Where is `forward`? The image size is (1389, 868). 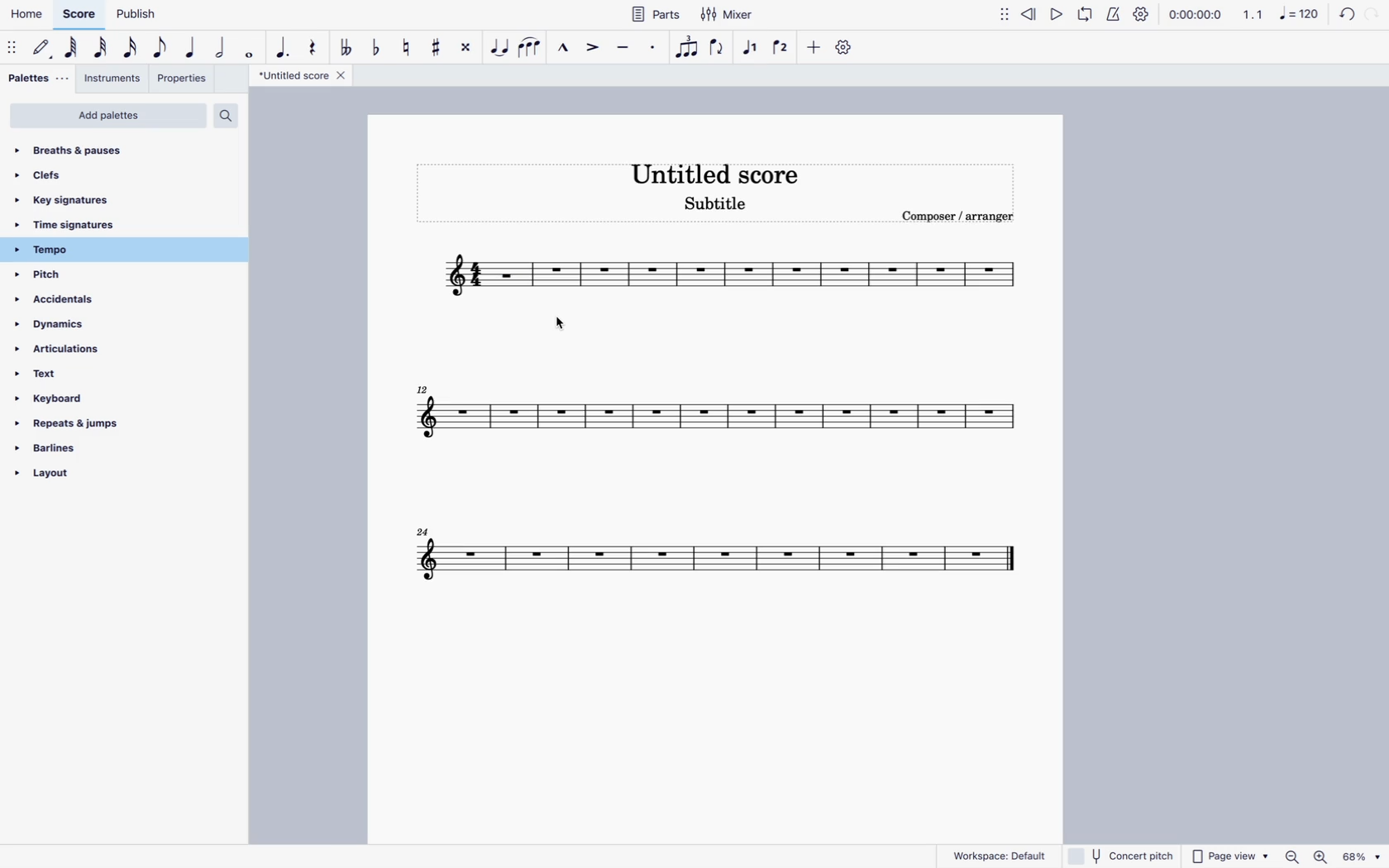 forward is located at coordinates (1375, 16).